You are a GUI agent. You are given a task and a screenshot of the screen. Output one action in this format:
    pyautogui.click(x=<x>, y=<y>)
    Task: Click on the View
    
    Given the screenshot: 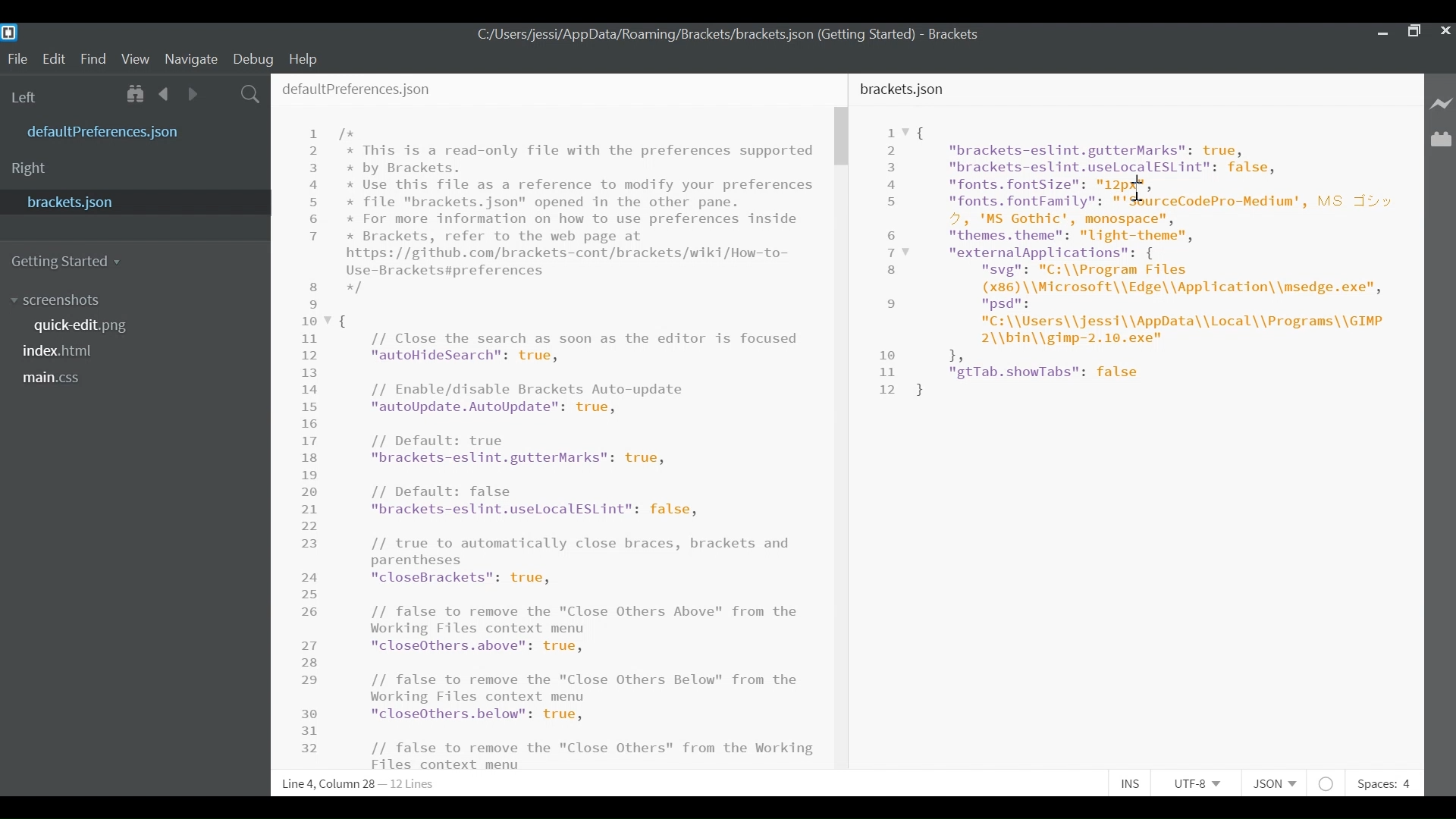 What is the action you would take?
    pyautogui.click(x=136, y=60)
    